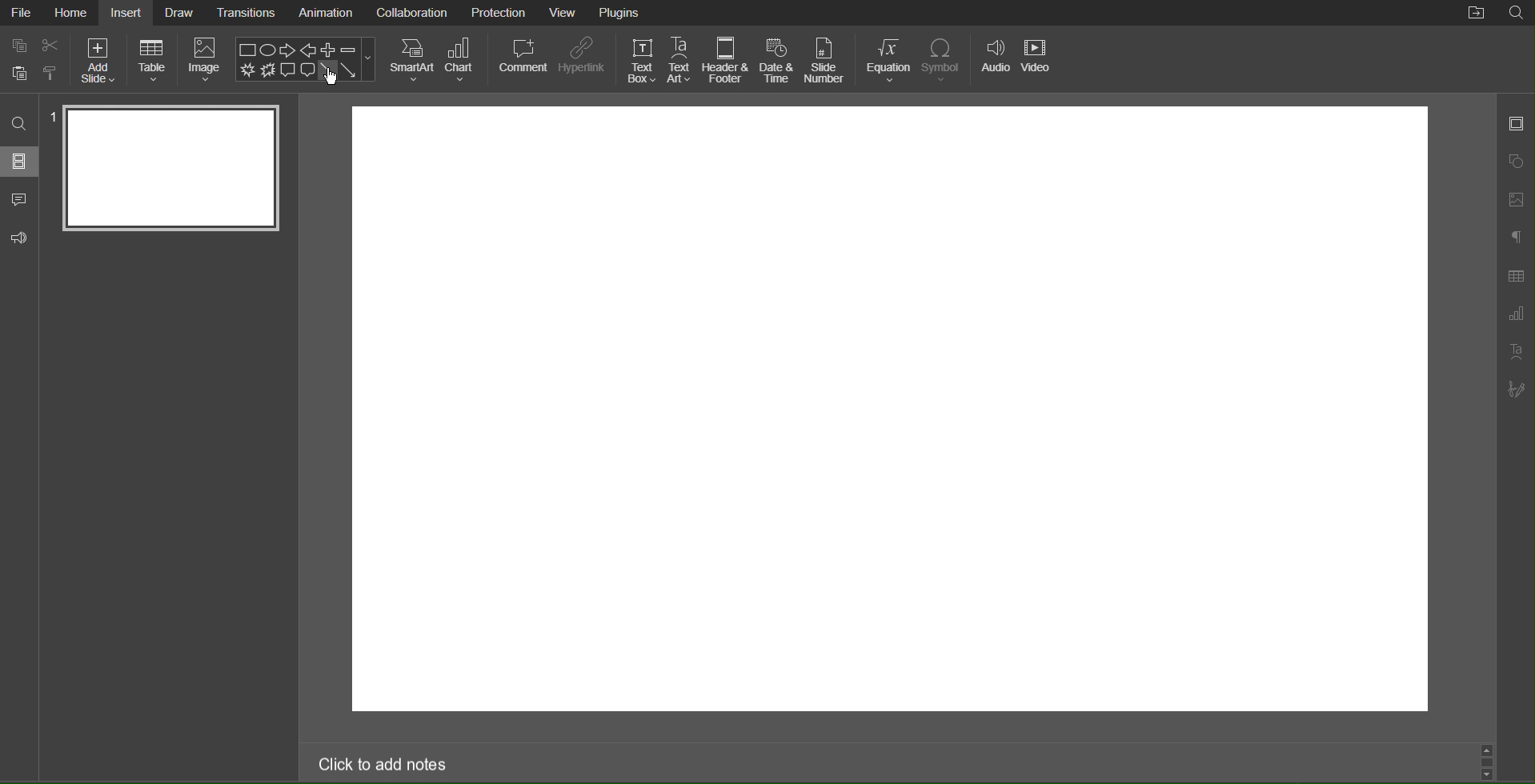  What do you see at coordinates (332, 80) in the screenshot?
I see `Pointer` at bounding box center [332, 80].